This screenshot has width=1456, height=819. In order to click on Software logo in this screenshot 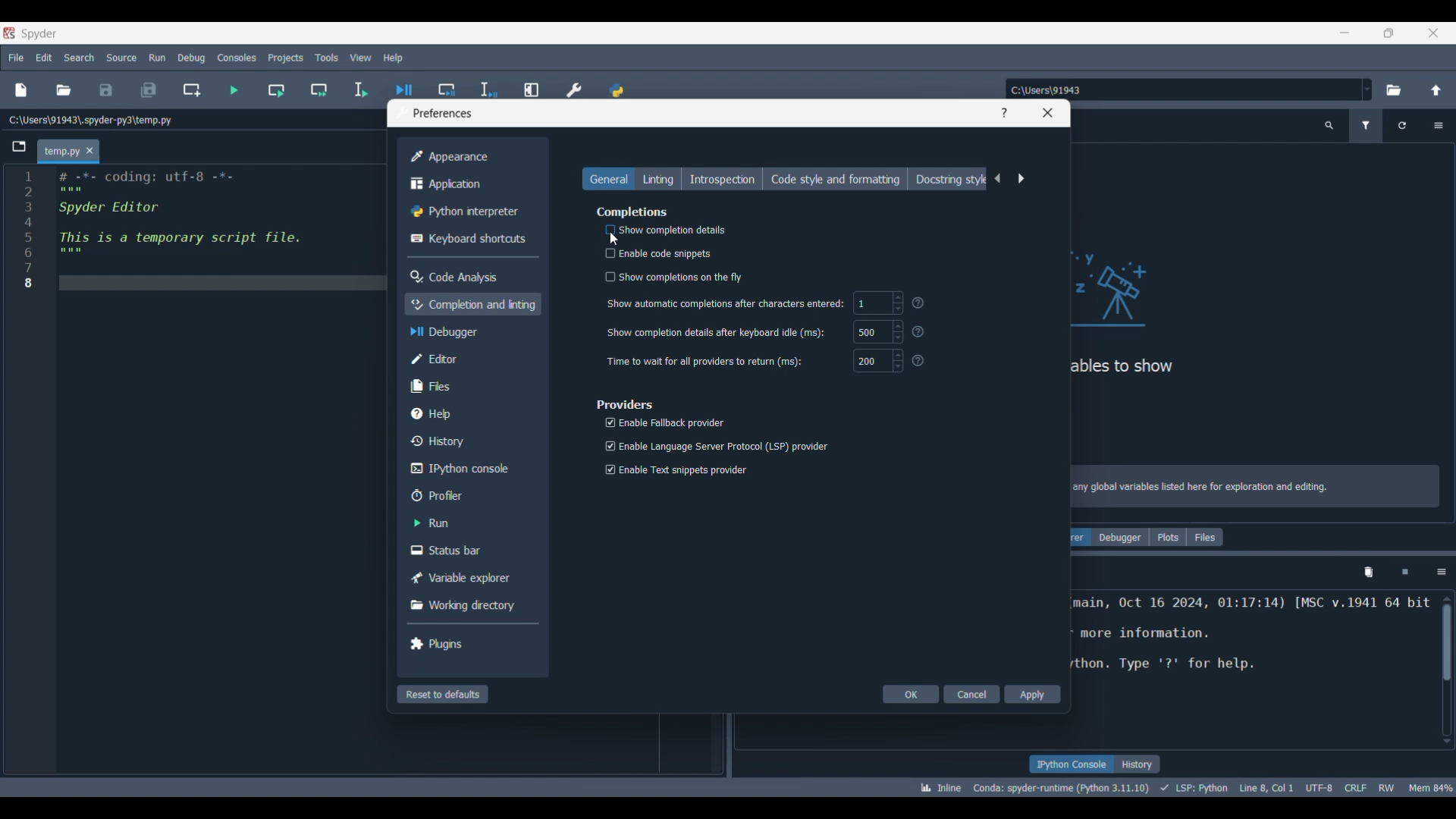, I will do `click(9, 33)`.